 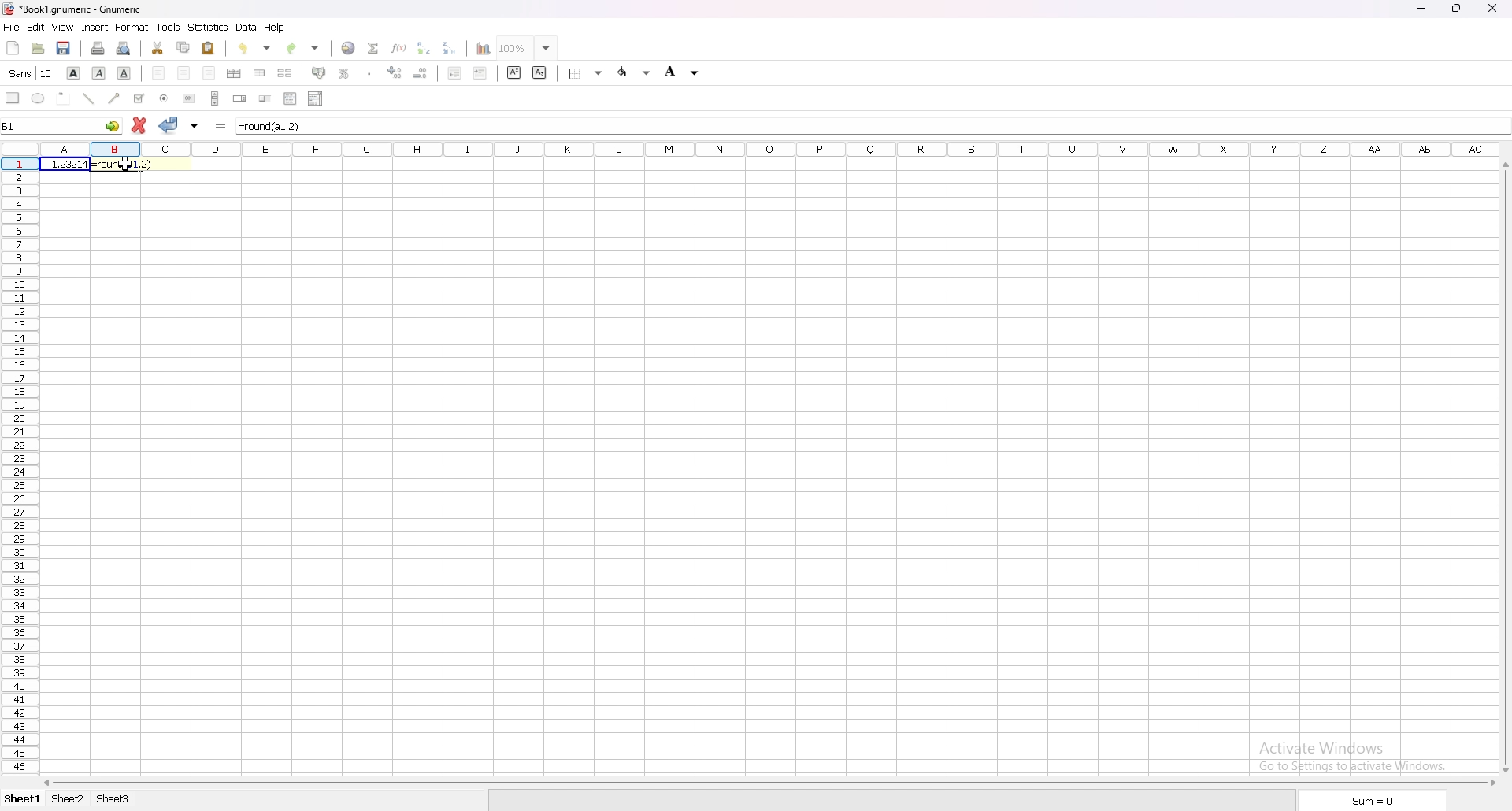 I want to click on left align, so click(x=158, y=72).